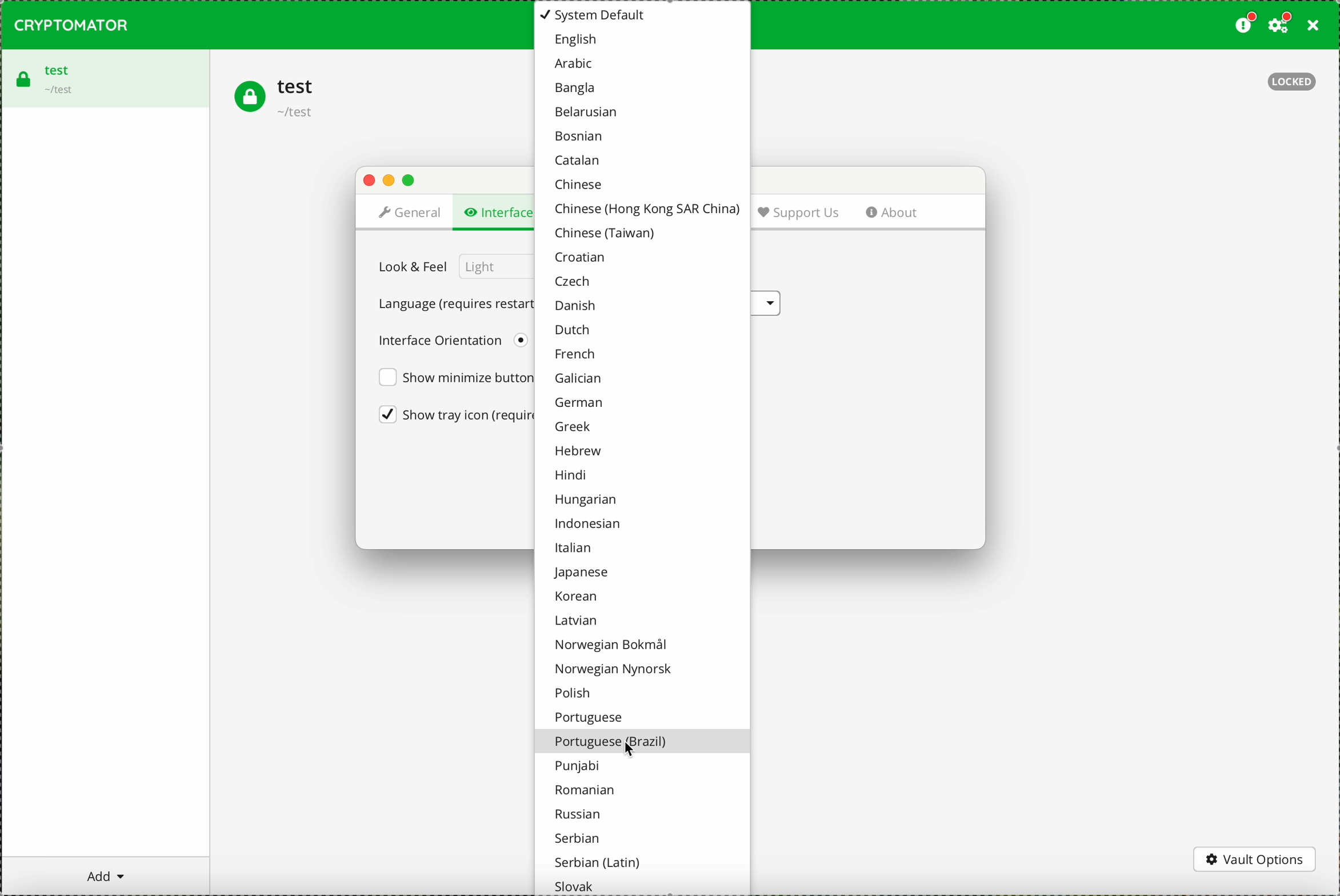  What do you see at coordinates (573, 693) in the screenshot?
I see `polish` at bounding box center [573, 693].